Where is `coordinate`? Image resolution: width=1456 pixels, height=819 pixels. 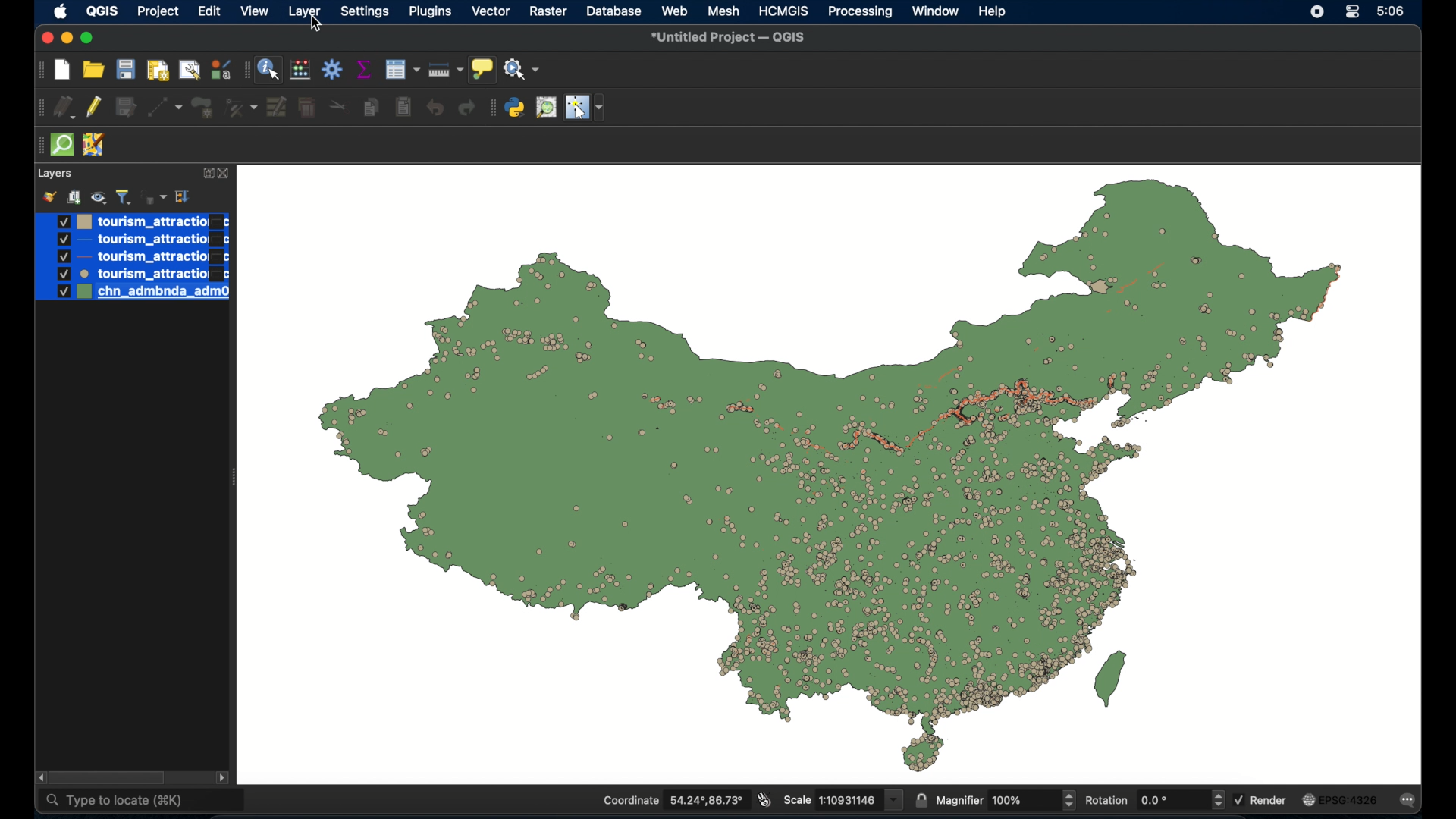
coordinate is located at coordinates (674, 799).